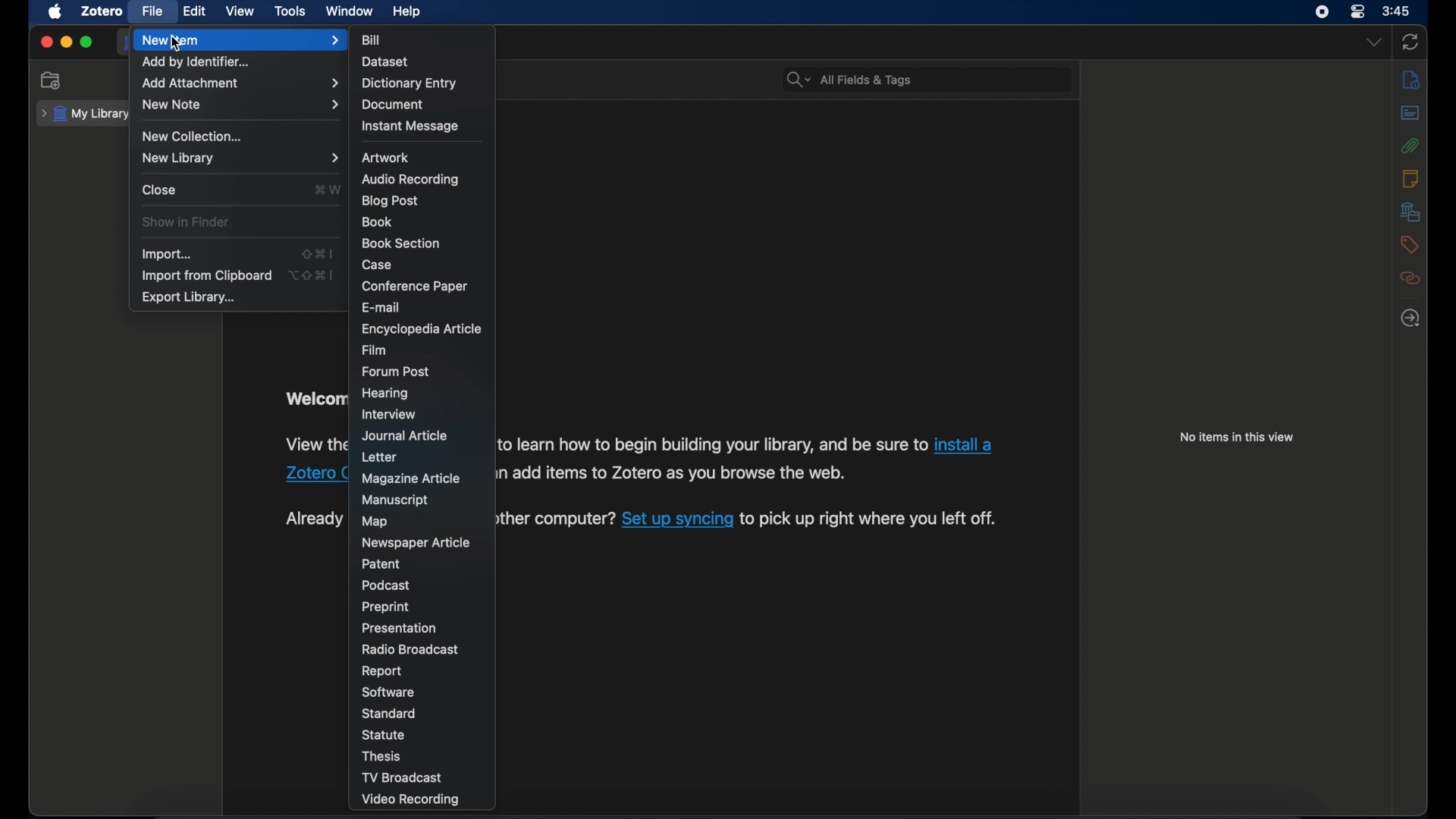 The image size is (1456, 819). Describe the element at coordinates (311, 275) in the screenshot. I see `shortcut` at that location.